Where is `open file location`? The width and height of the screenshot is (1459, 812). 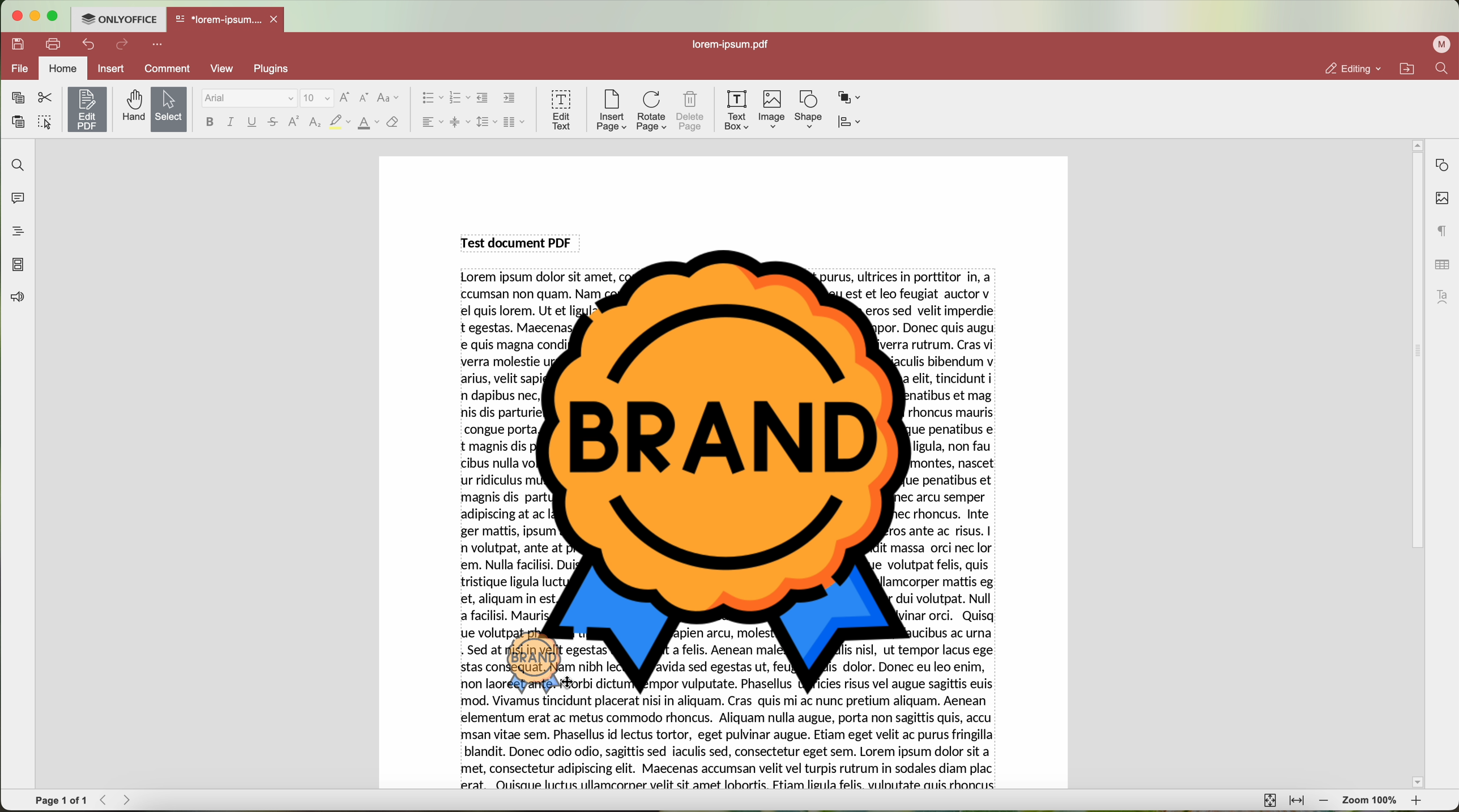 open file location is located at coordinates (1410, 69).